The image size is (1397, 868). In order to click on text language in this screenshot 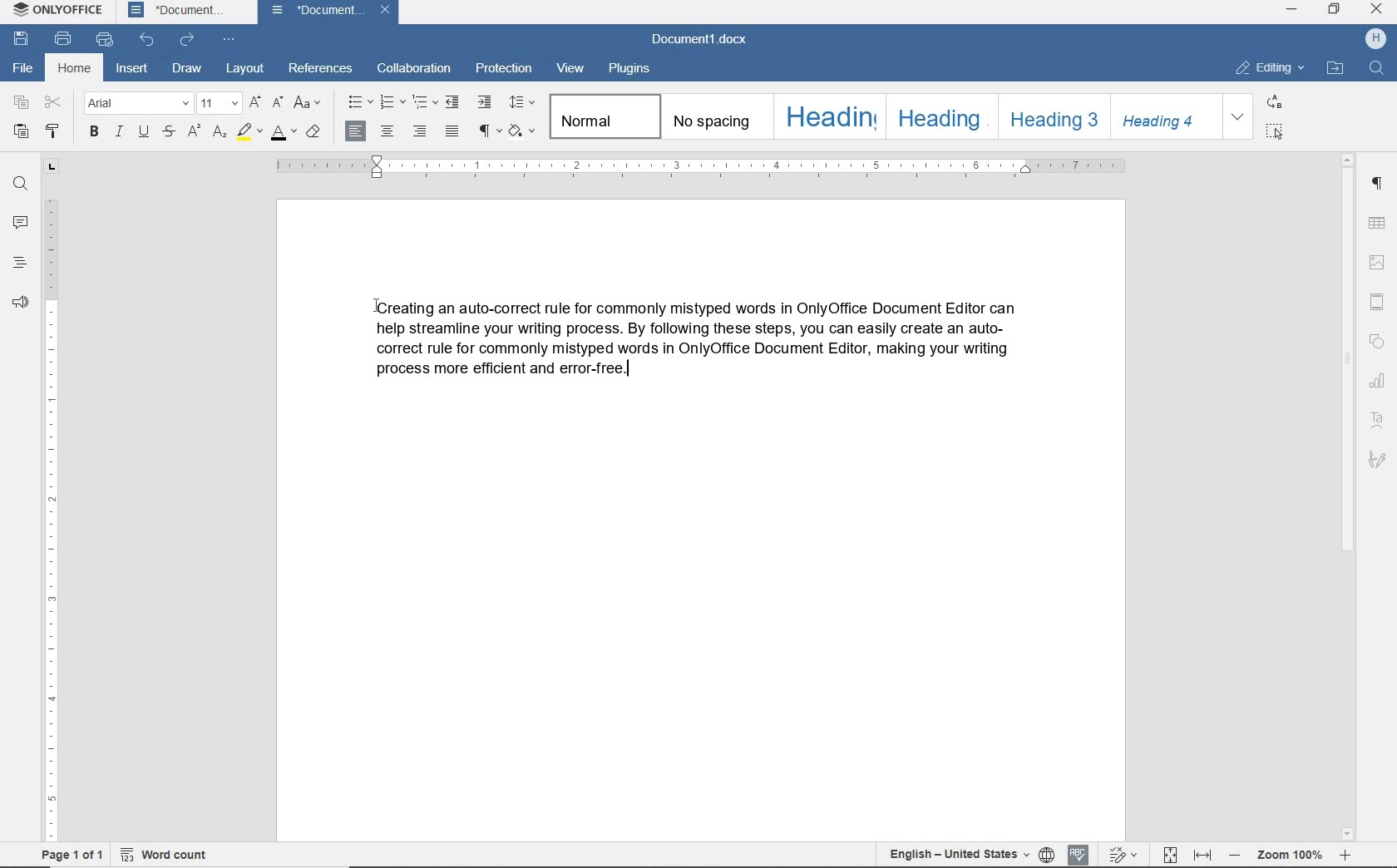, I will do `click(958, 855)`.